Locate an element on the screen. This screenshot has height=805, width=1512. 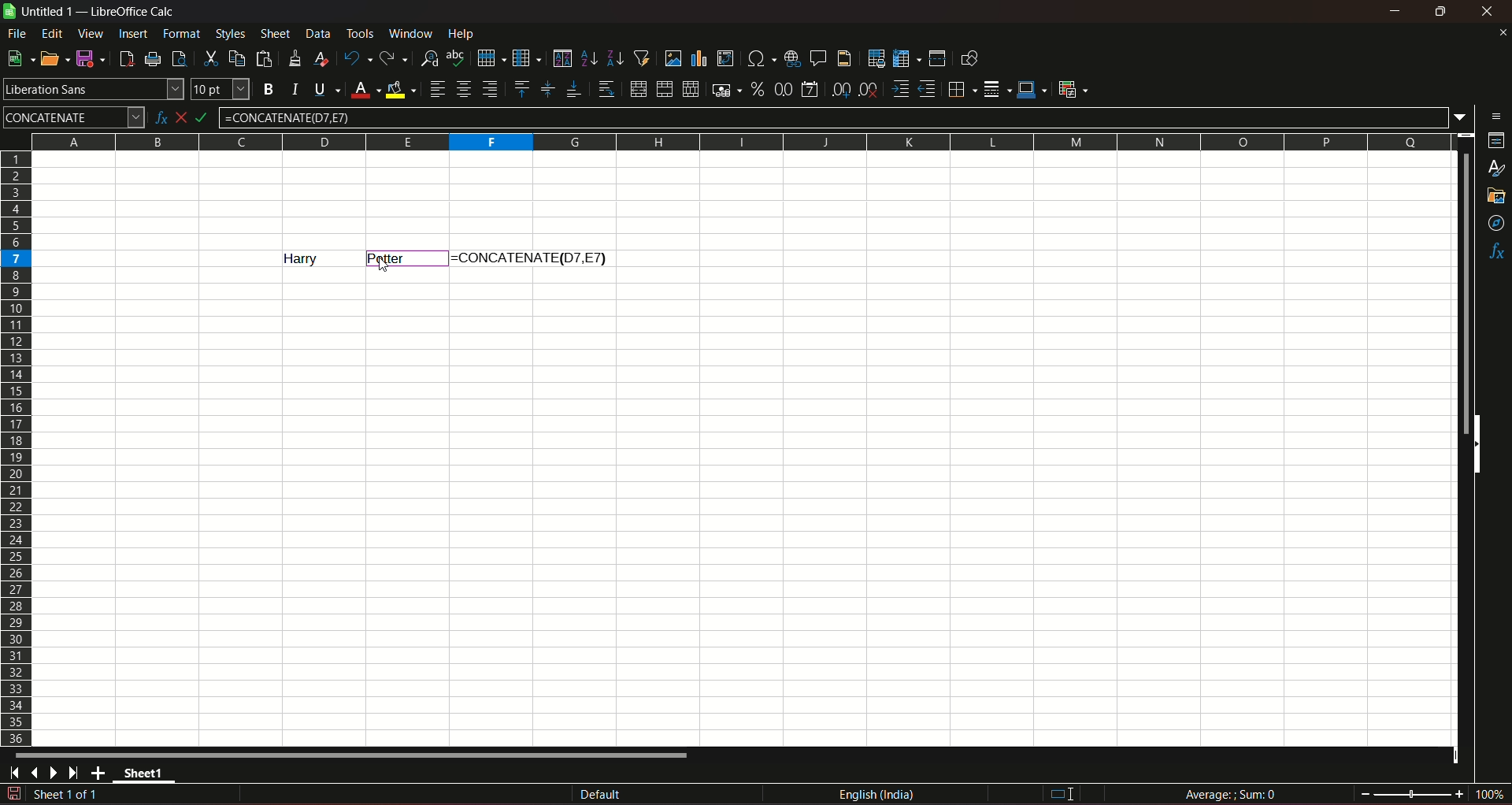
formula is located at coordinates (210, 117).